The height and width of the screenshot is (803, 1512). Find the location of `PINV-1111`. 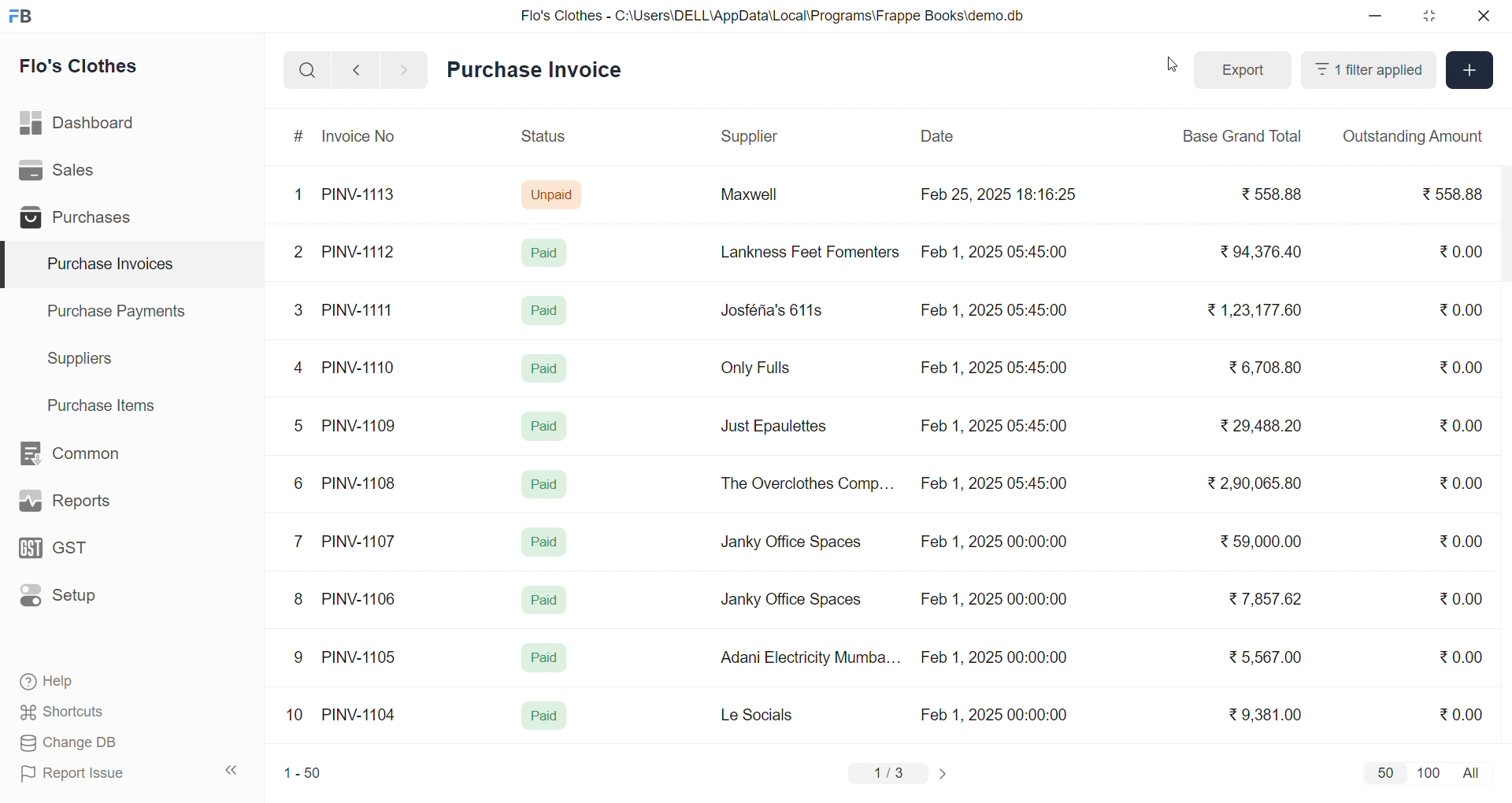

PINV-1111 is located at coordinates (359, 309).